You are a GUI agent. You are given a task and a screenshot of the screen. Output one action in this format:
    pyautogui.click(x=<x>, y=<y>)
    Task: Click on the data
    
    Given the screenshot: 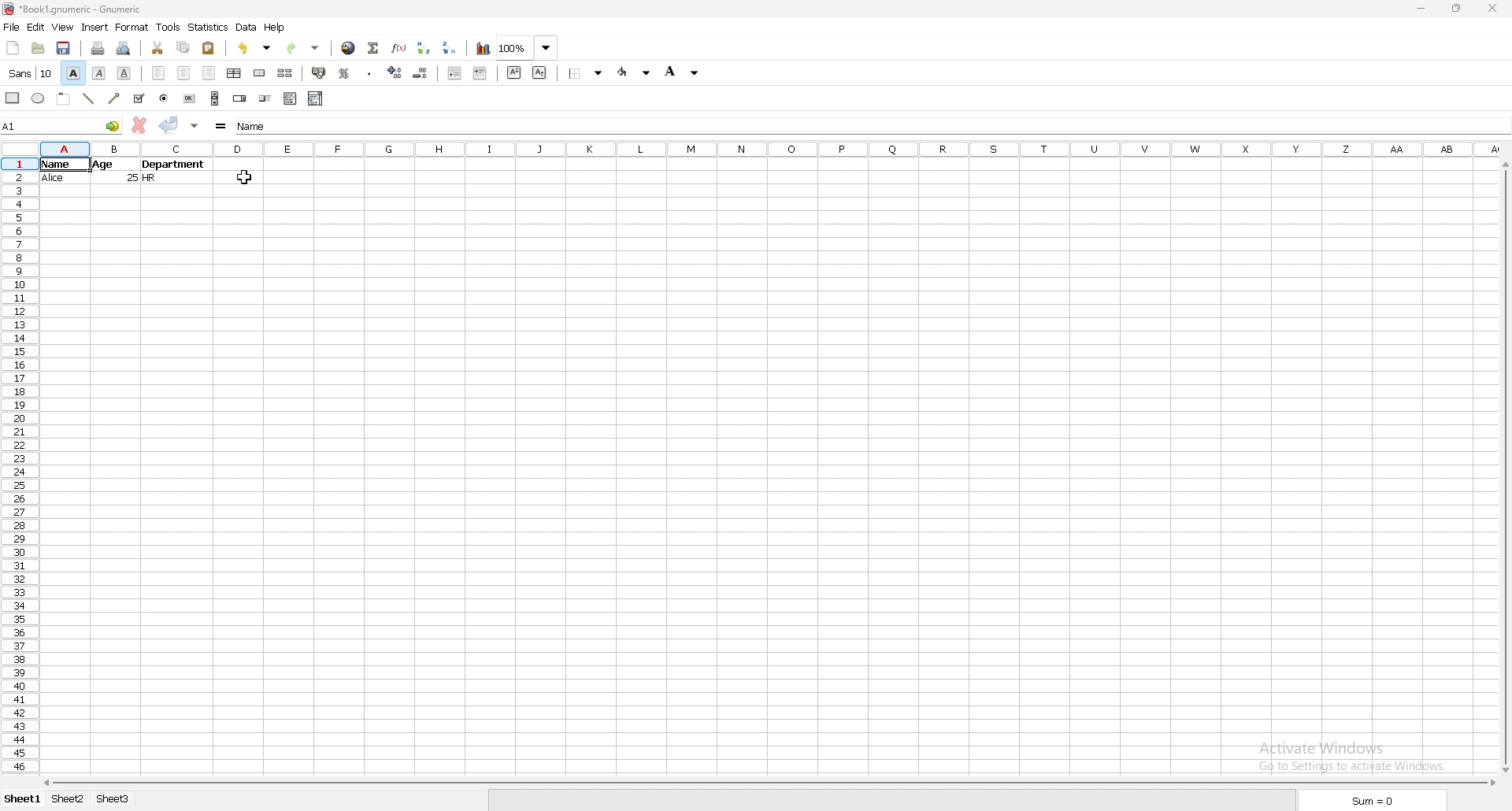 What is the action you would take?
    pyautogui.click(x=127, y=170)
    